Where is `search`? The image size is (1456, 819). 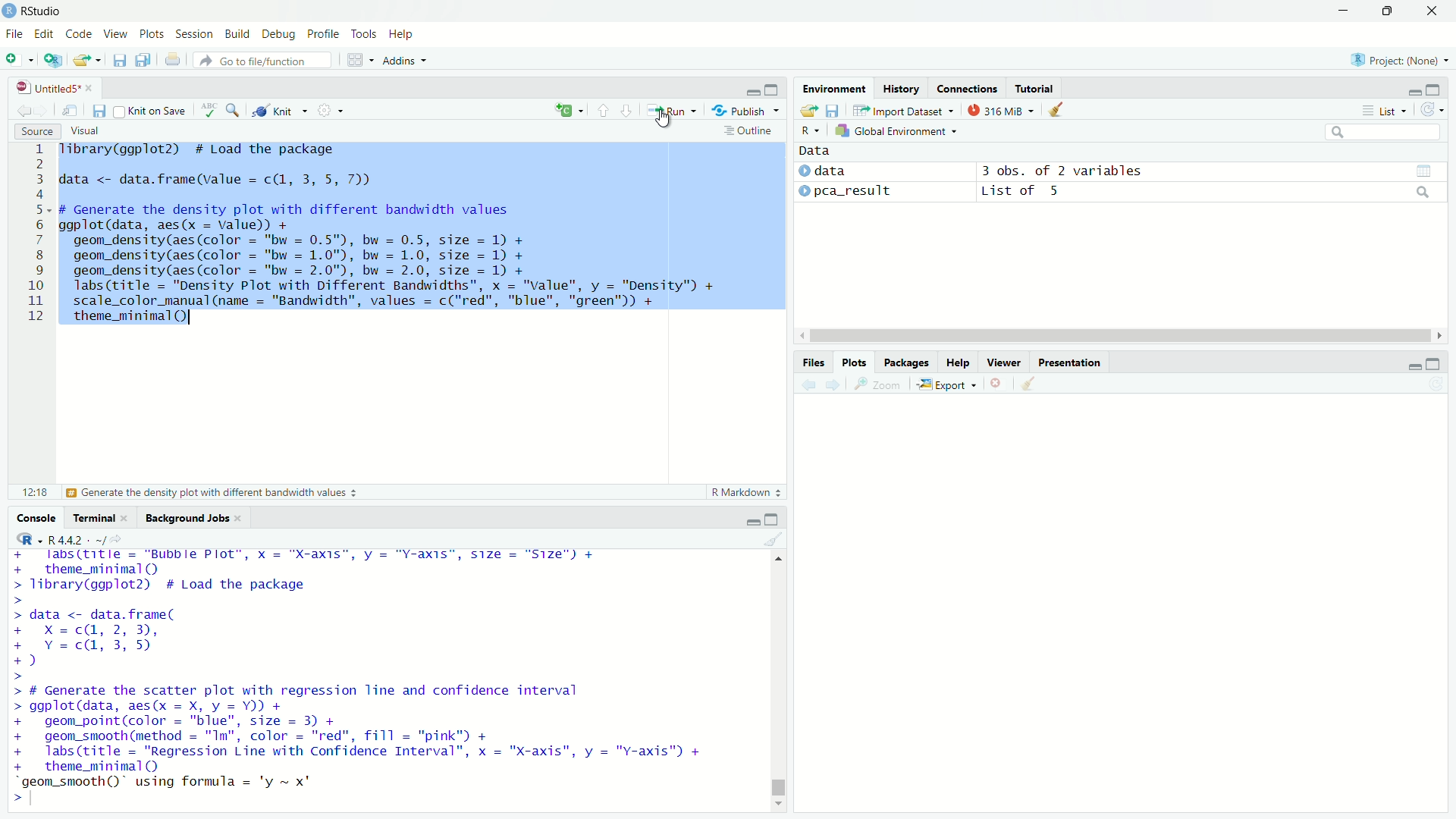 search is located at coordinates (1424, 192).